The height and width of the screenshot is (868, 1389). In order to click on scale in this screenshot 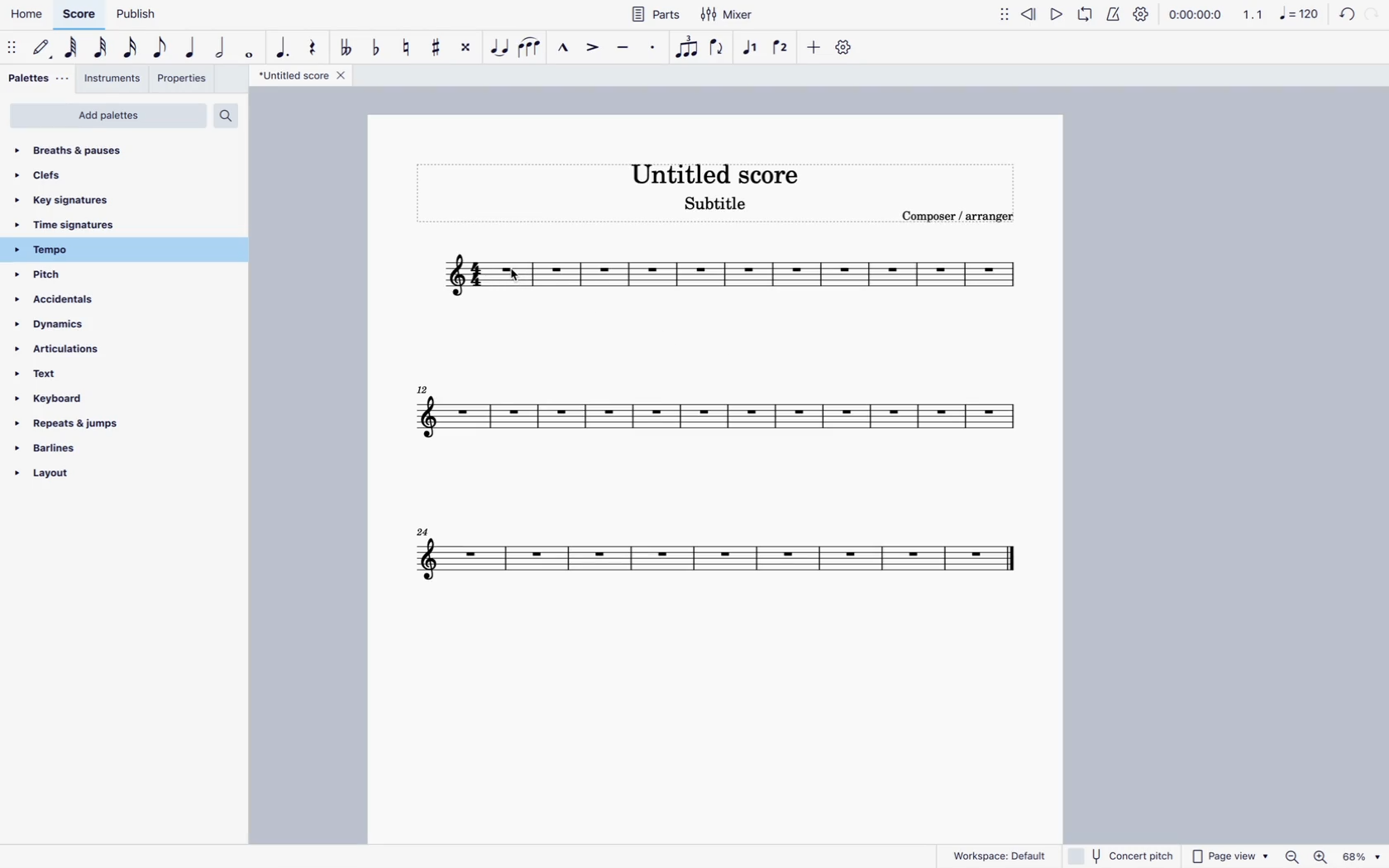, I will do `click(1281, 14)`.